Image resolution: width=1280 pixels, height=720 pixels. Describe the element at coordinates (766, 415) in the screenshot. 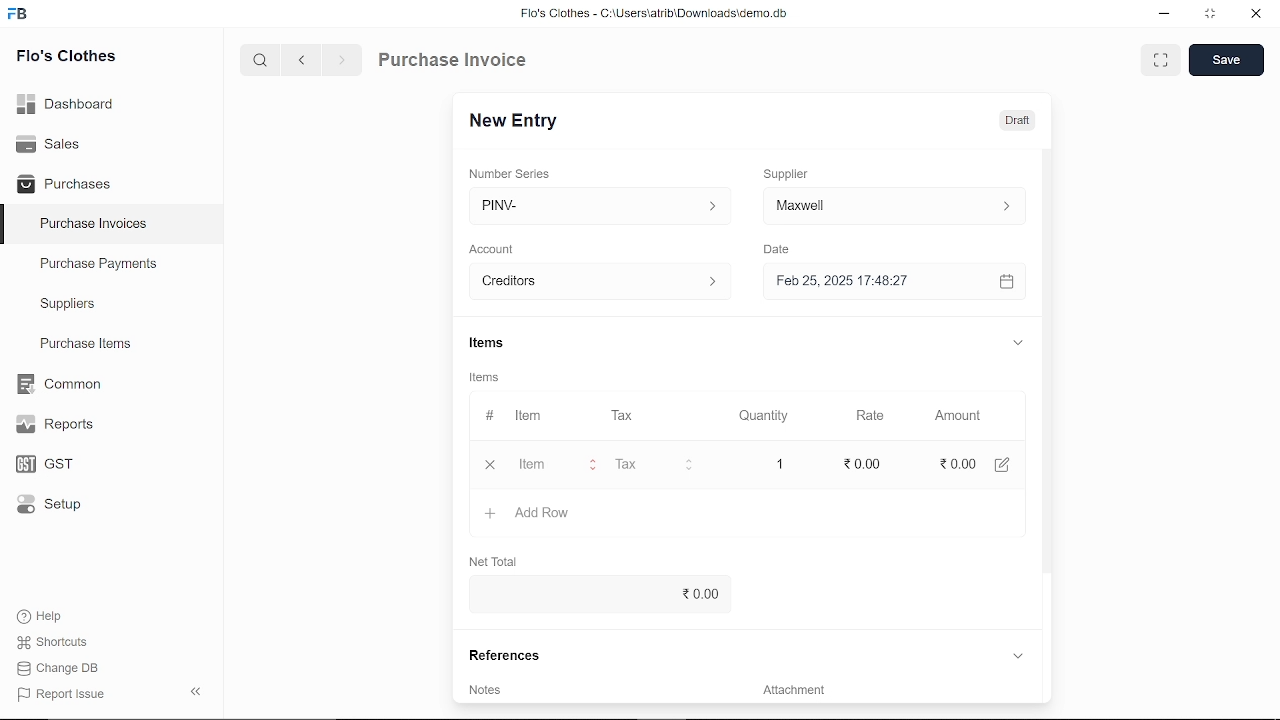

I see `Quantity` at that location.